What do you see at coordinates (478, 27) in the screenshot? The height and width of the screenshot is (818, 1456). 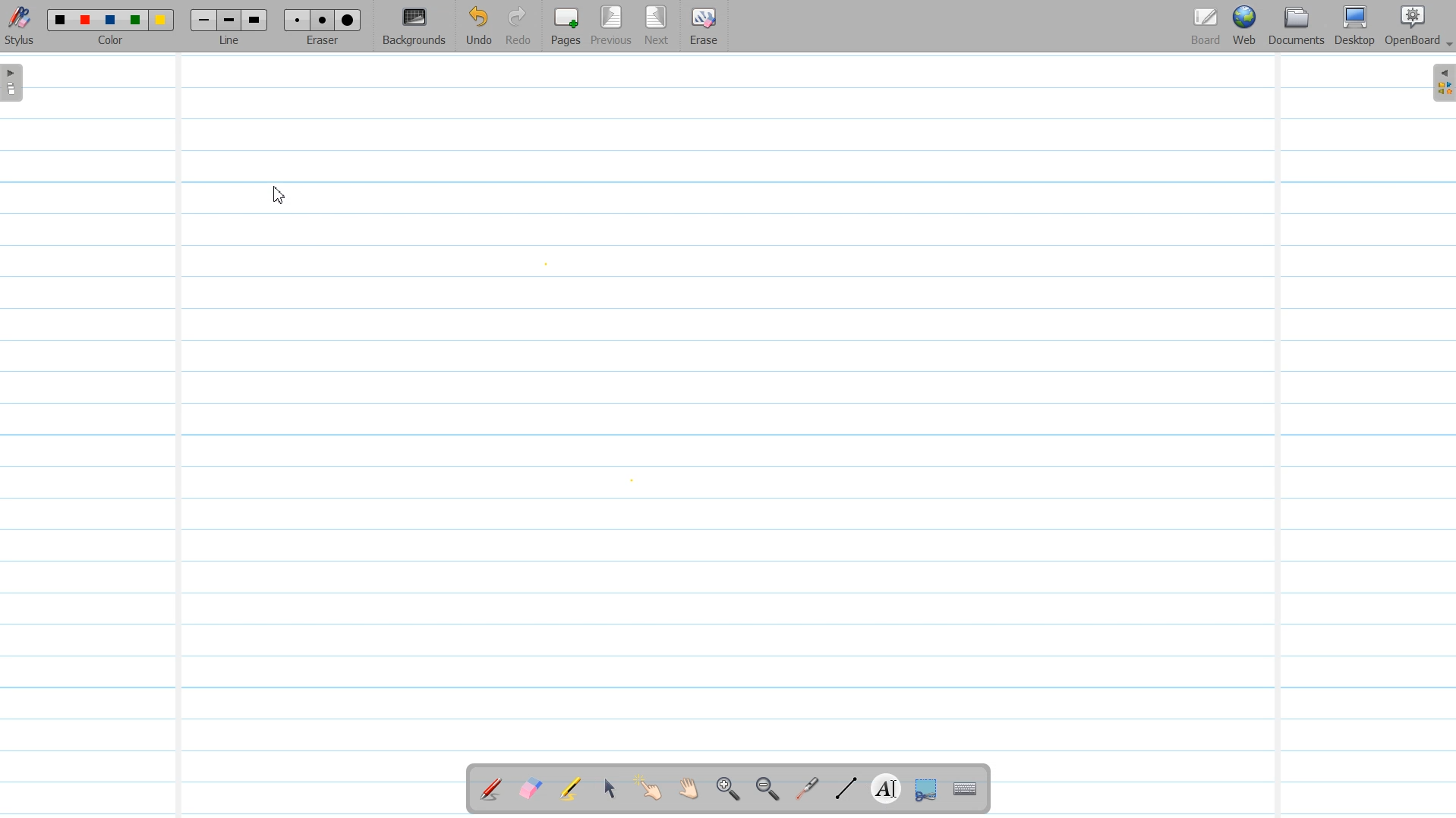 I see `Undo` at bounding box center [478, 27].